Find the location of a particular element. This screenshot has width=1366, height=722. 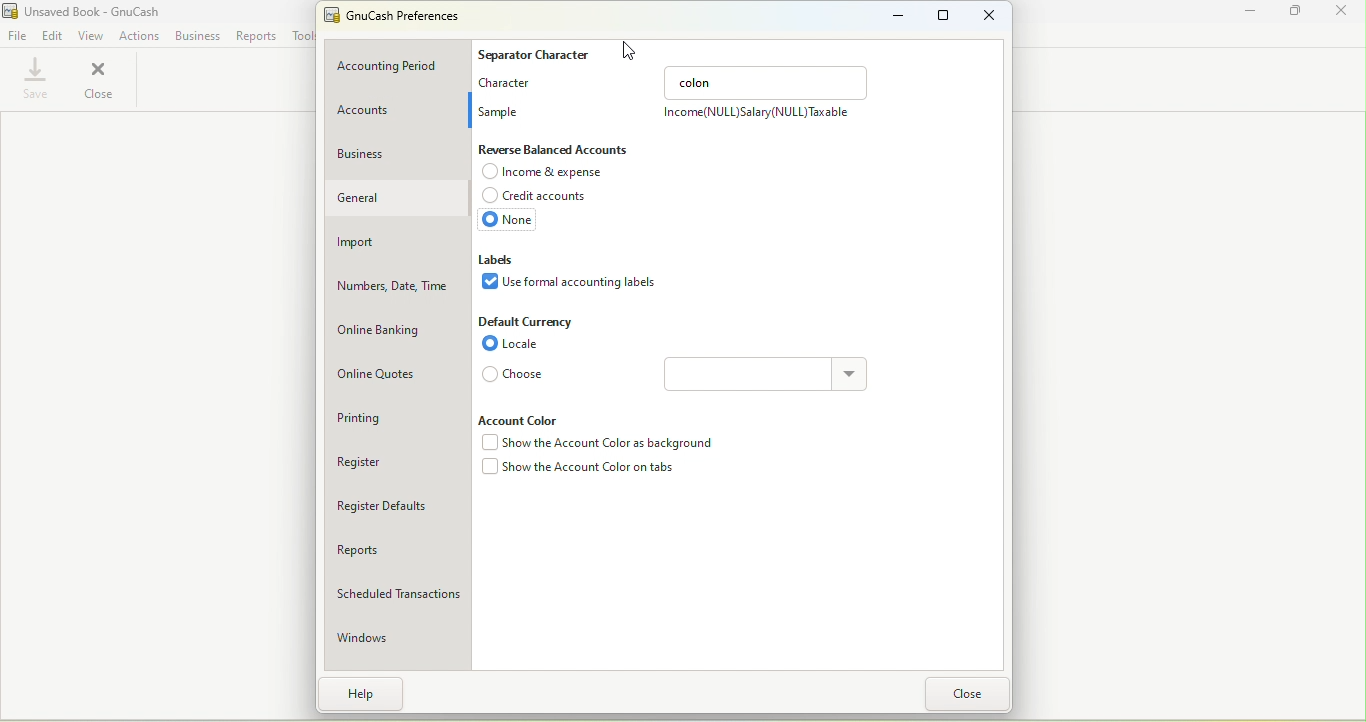

Online quotes is located at coordinates (399, 374).